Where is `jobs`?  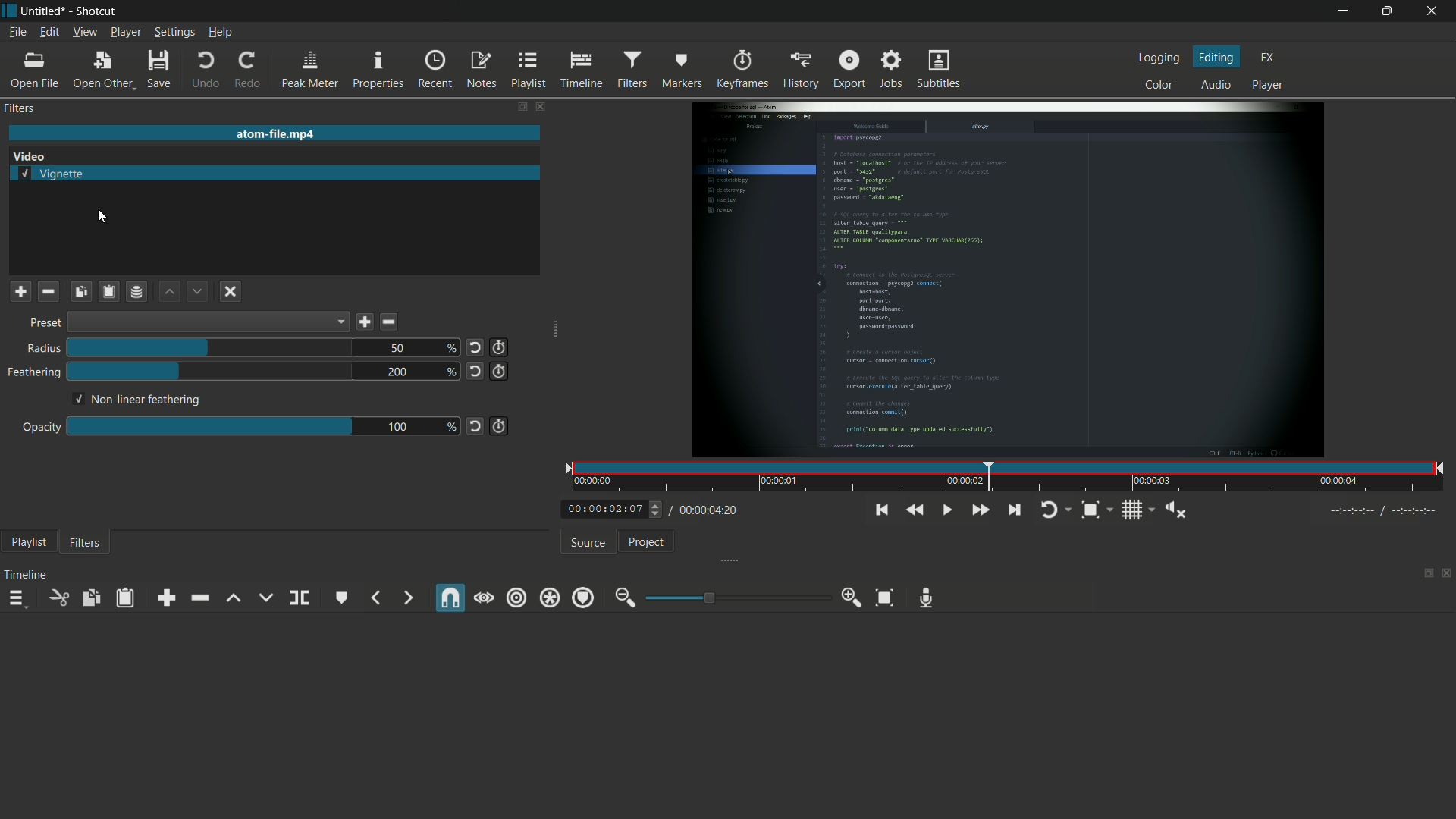
jobs is located at coordinates (893, 69).